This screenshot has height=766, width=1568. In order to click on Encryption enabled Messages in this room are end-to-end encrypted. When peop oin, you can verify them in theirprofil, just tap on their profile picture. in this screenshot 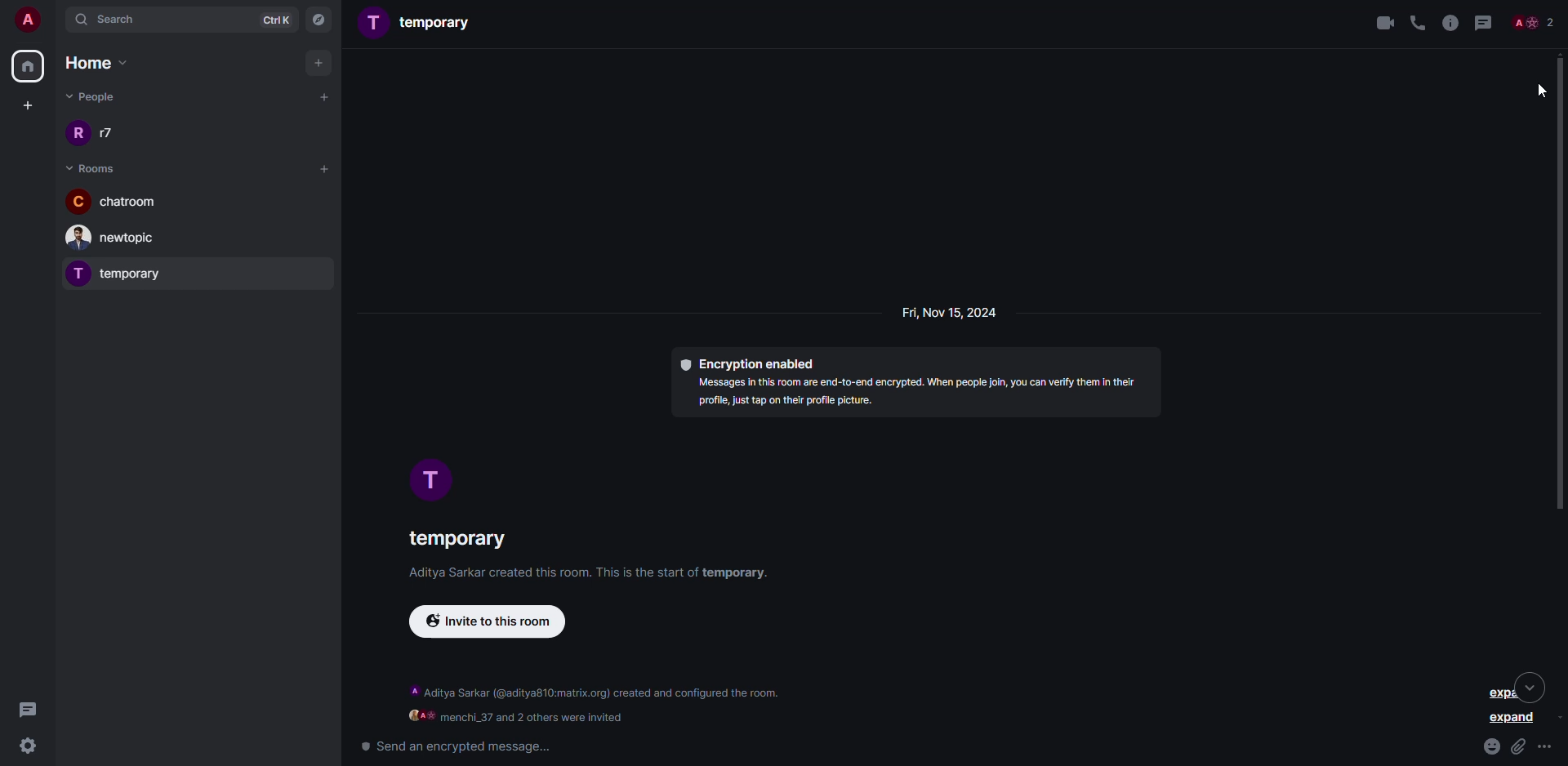, I will do `click(906, 386)`.